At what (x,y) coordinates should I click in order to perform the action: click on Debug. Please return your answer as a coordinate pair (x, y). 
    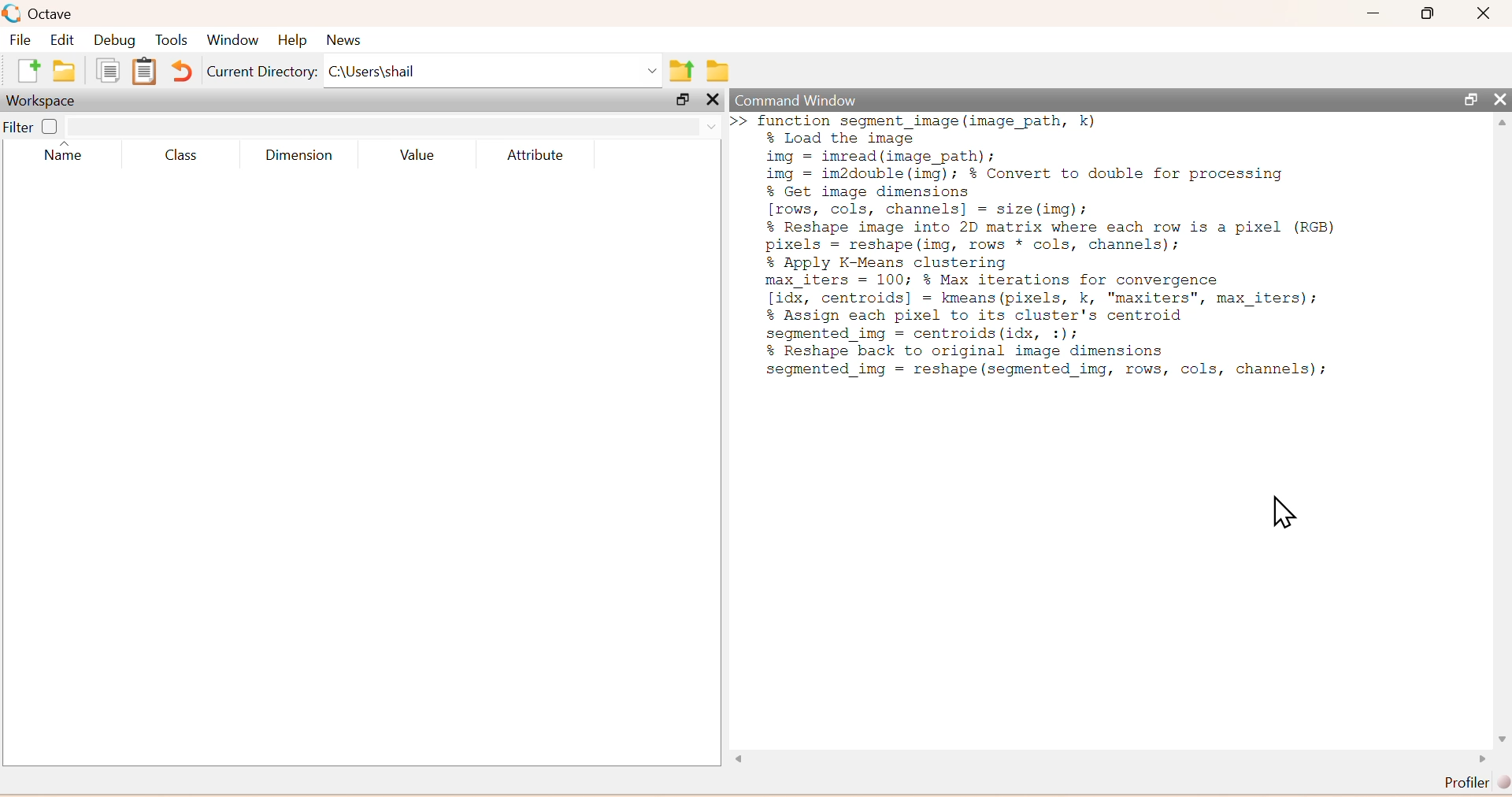
    Looking at the image, I should click on (113, 42).